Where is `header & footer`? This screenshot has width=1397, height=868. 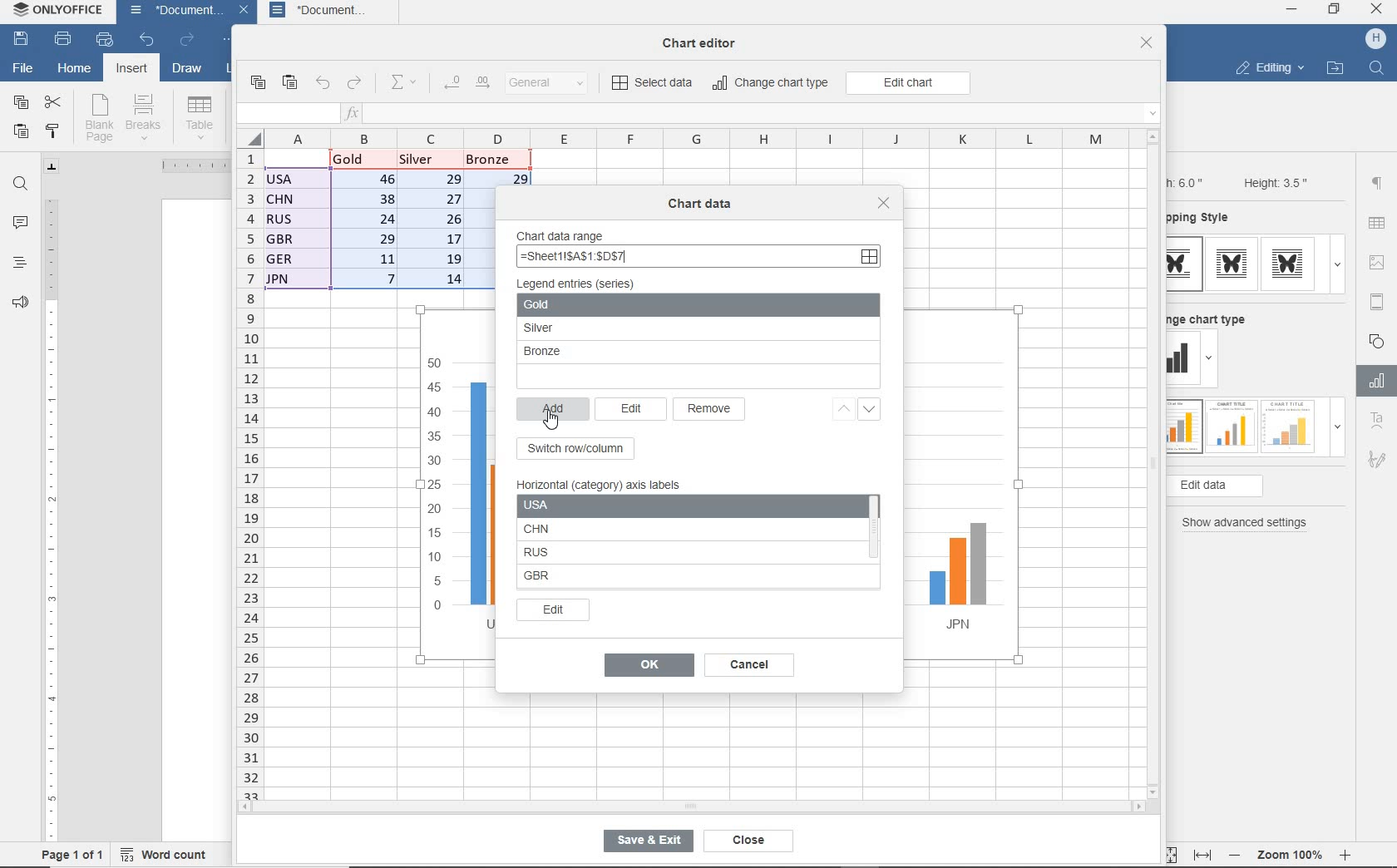 header & footer is located at coordinates (1376, 301).